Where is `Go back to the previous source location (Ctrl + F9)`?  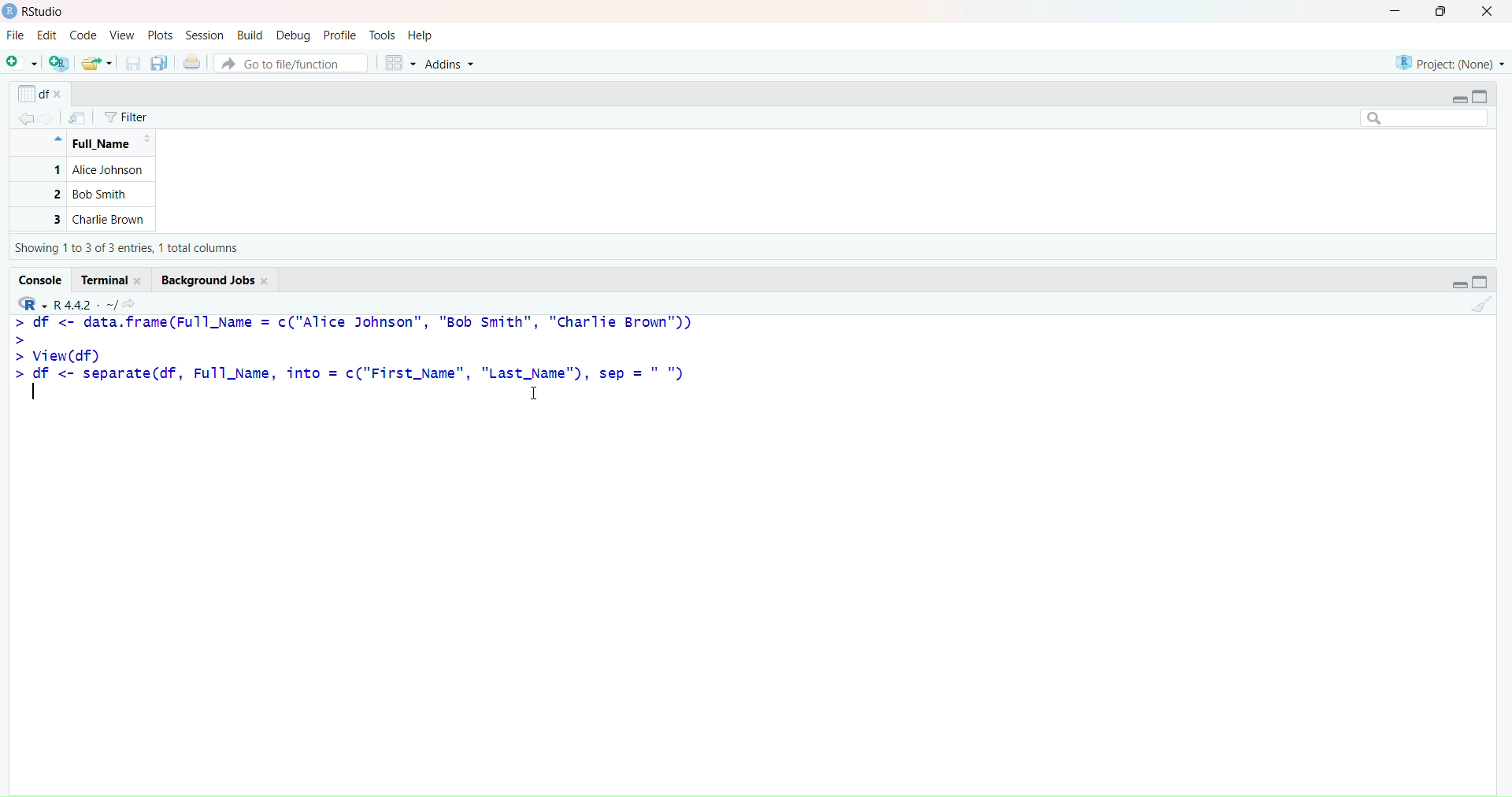
Go back to the previous source location (Ctrl + F9) is located at coordinates (22, 117).